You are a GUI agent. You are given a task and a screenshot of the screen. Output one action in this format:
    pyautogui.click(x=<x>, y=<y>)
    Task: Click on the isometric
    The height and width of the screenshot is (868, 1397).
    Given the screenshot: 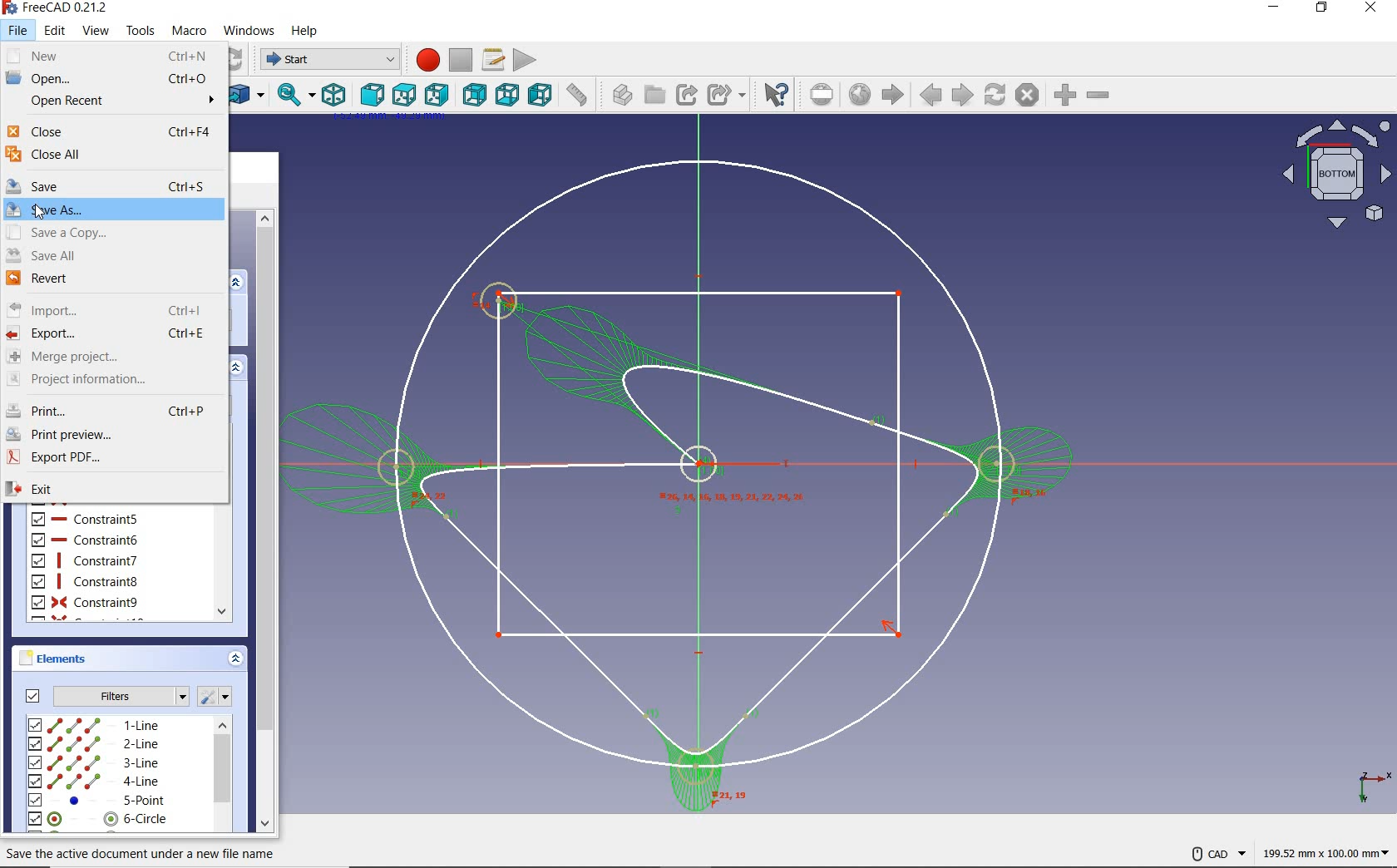 What is the action you would take?
    pyautogui.click(x=335, y=96)
    